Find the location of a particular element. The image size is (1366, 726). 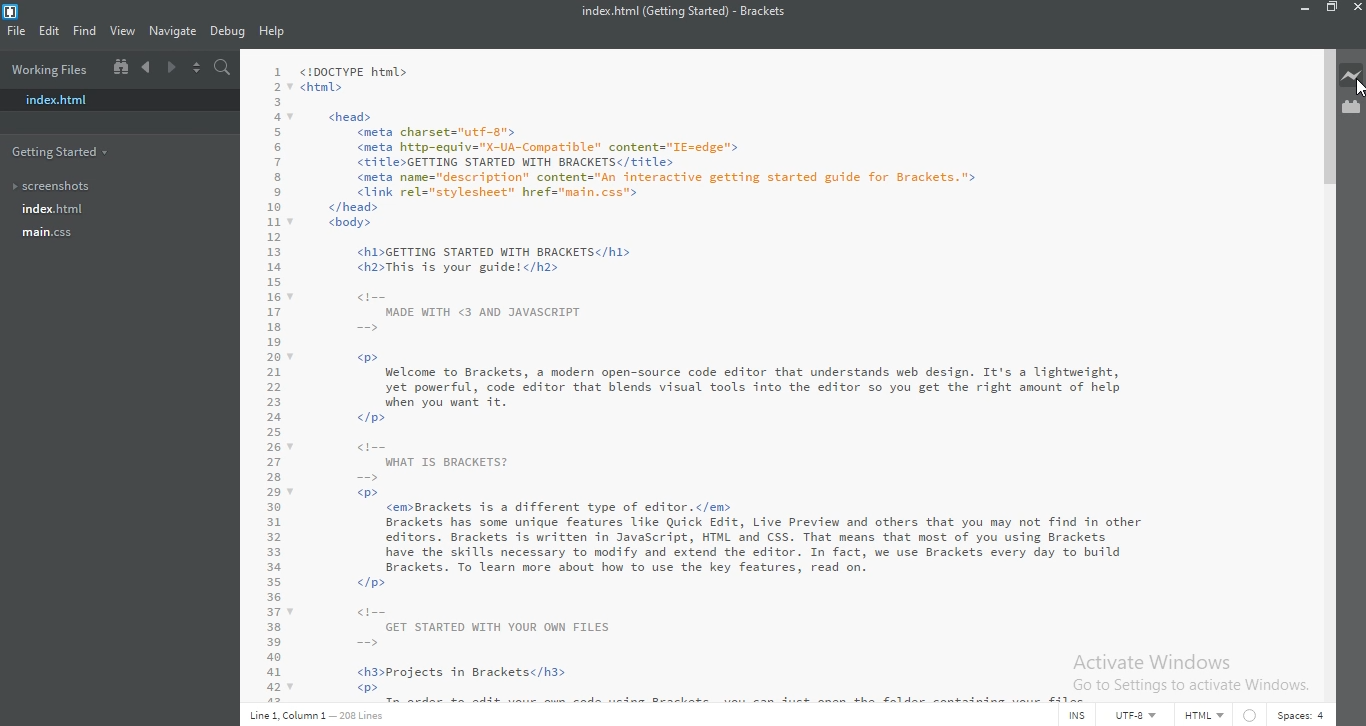

INS is located at coordinates (1073, 717).